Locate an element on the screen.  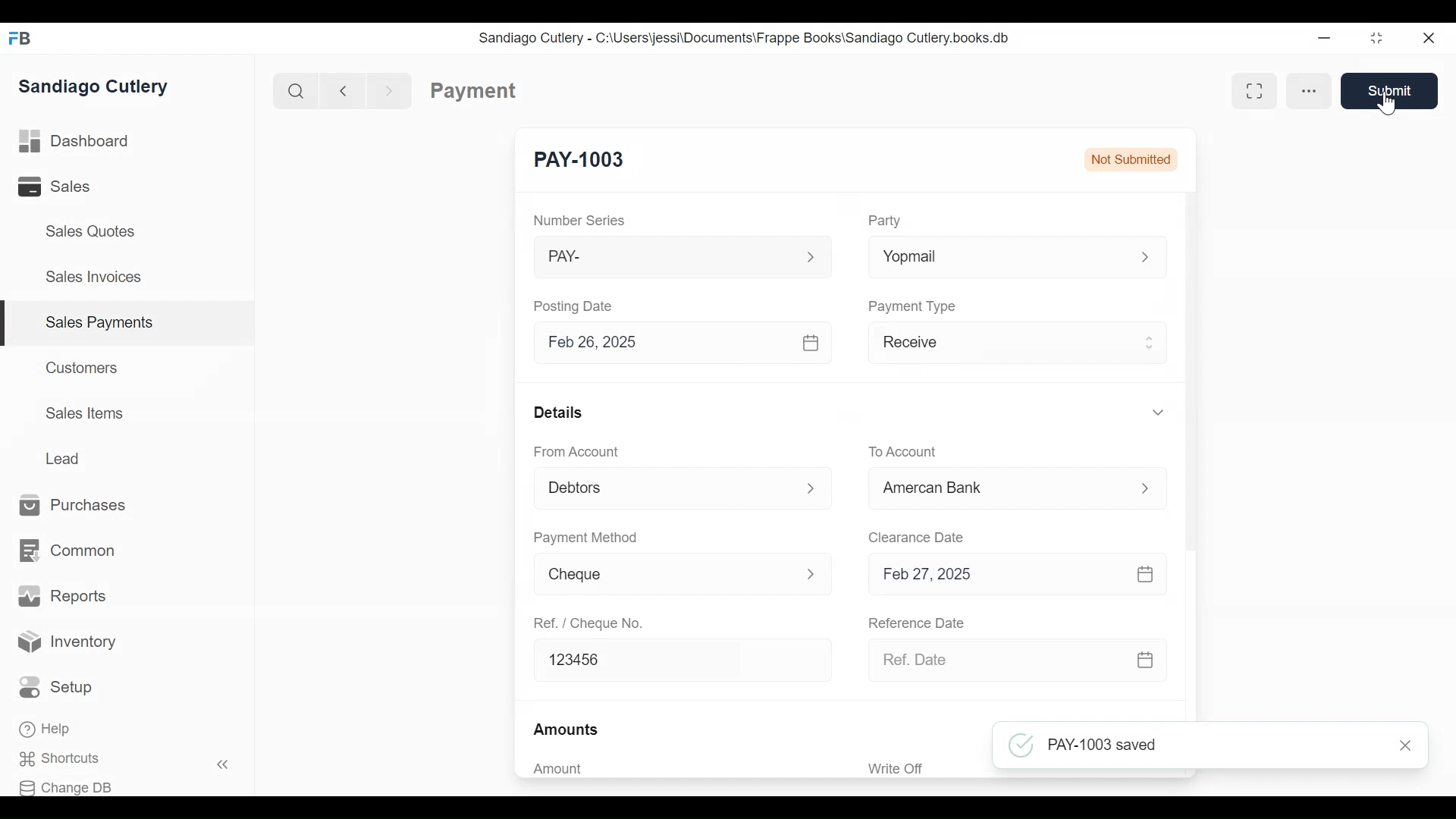
Inventory is located at coordinates (68, 642).